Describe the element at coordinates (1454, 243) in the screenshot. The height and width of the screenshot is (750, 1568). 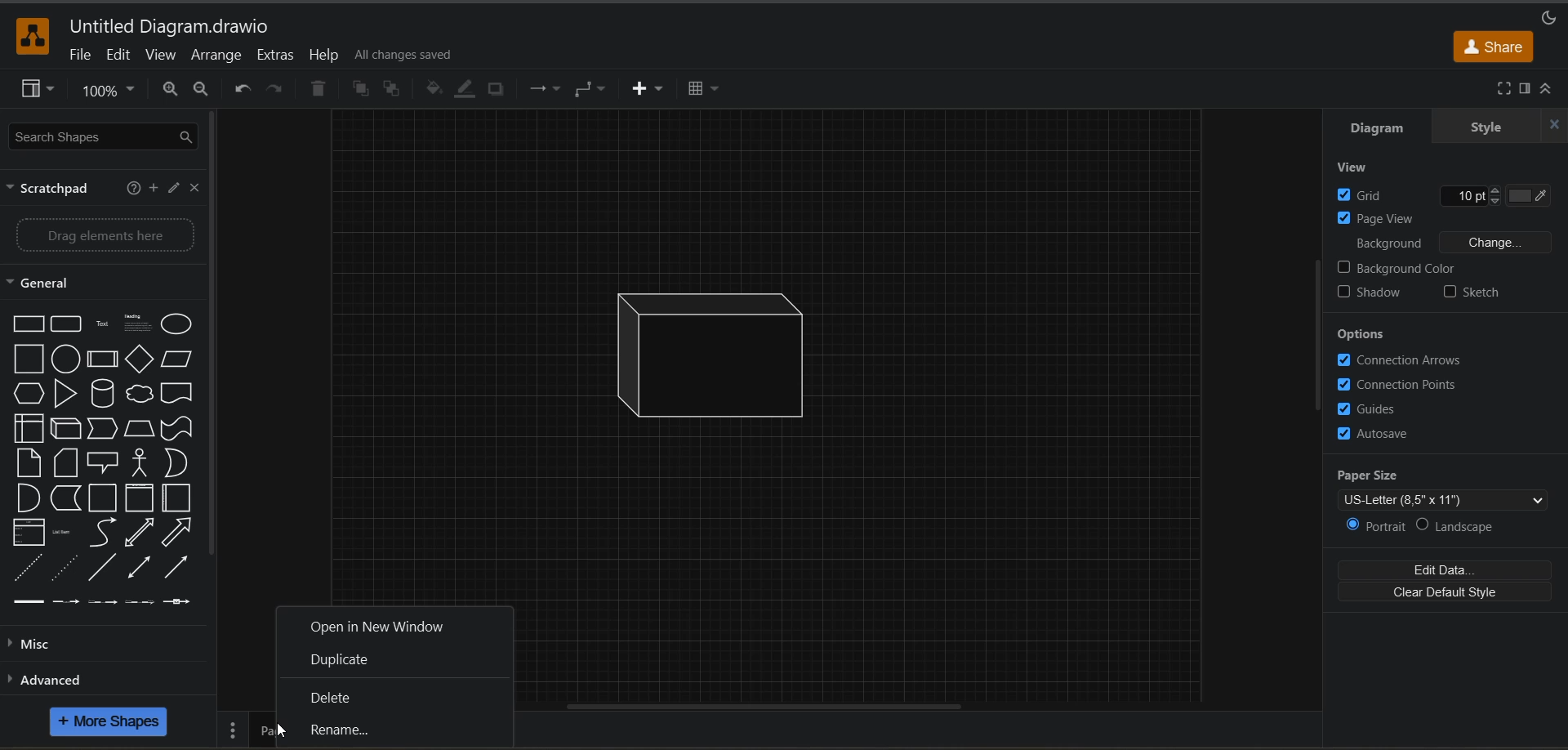
I see `background` at that location.